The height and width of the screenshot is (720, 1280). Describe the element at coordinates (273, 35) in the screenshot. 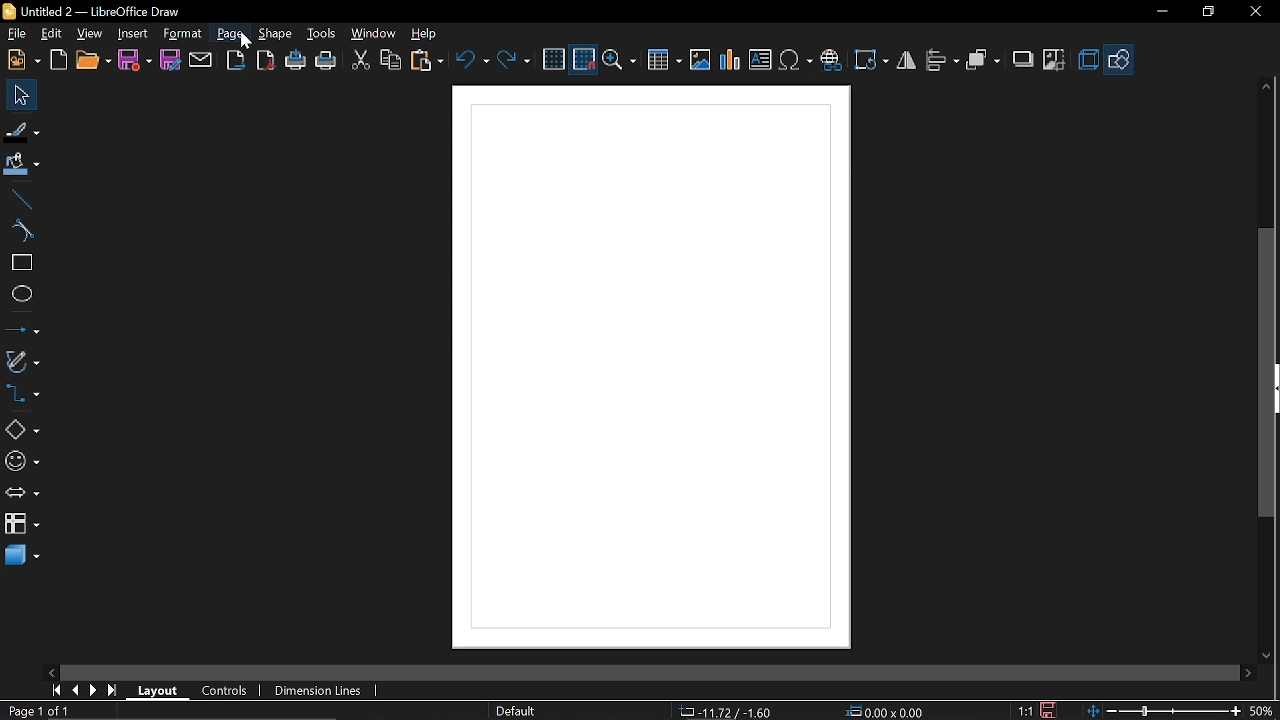

I see `Shape` at that location.